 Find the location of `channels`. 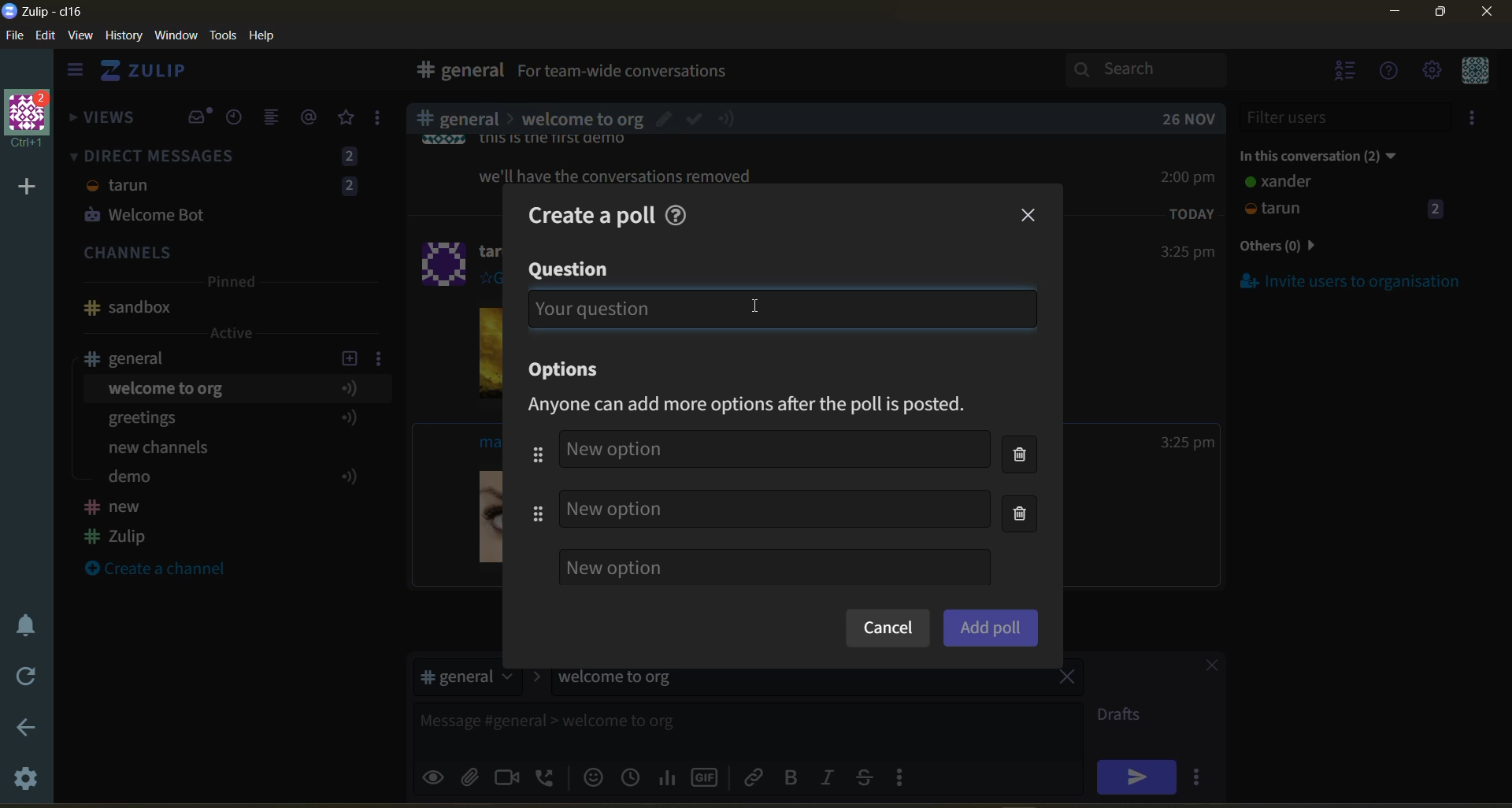

channels is located at coordinates (228, 254).